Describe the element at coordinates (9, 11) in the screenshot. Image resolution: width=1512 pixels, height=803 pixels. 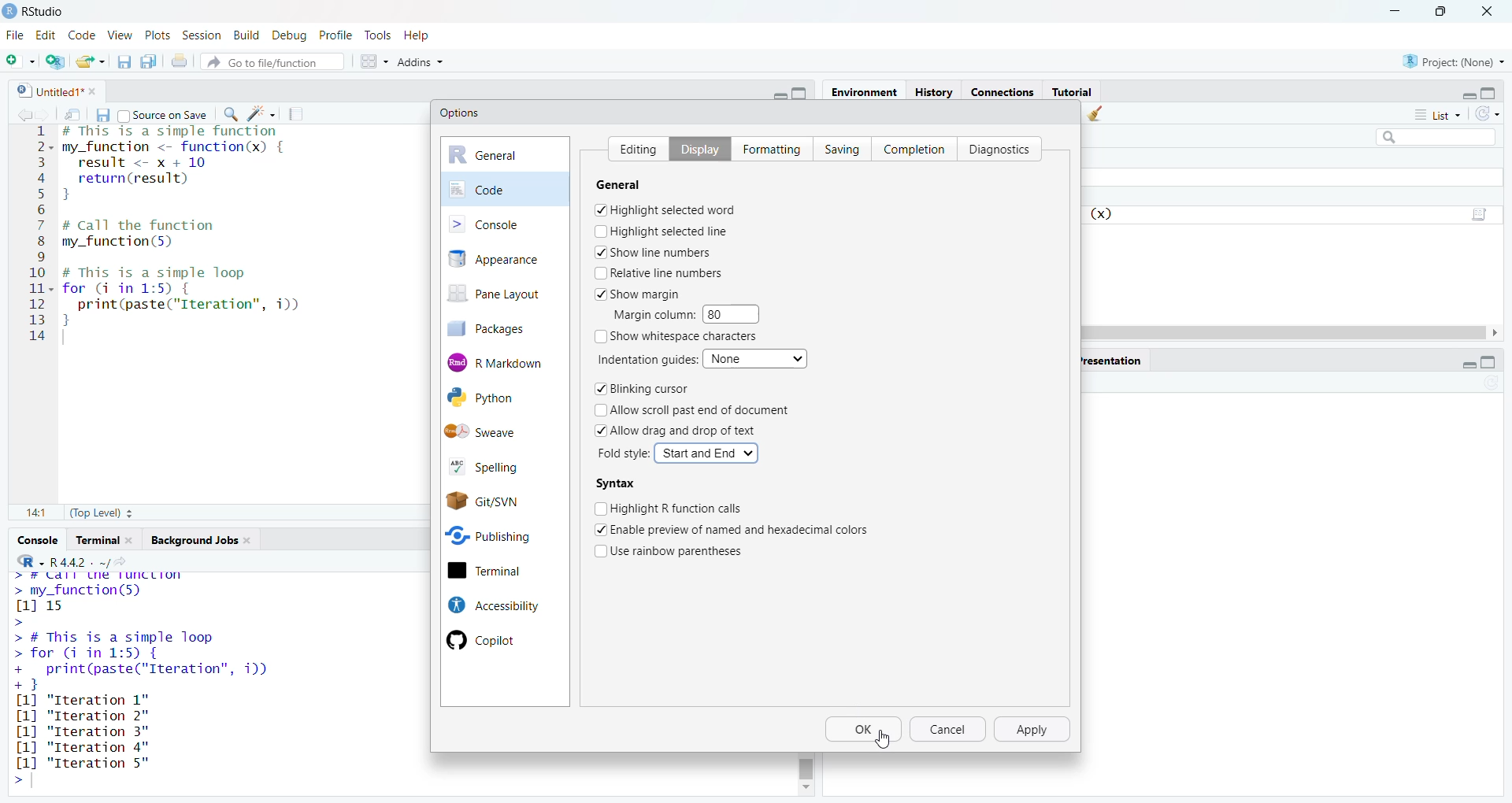
I see `logo` at that location.